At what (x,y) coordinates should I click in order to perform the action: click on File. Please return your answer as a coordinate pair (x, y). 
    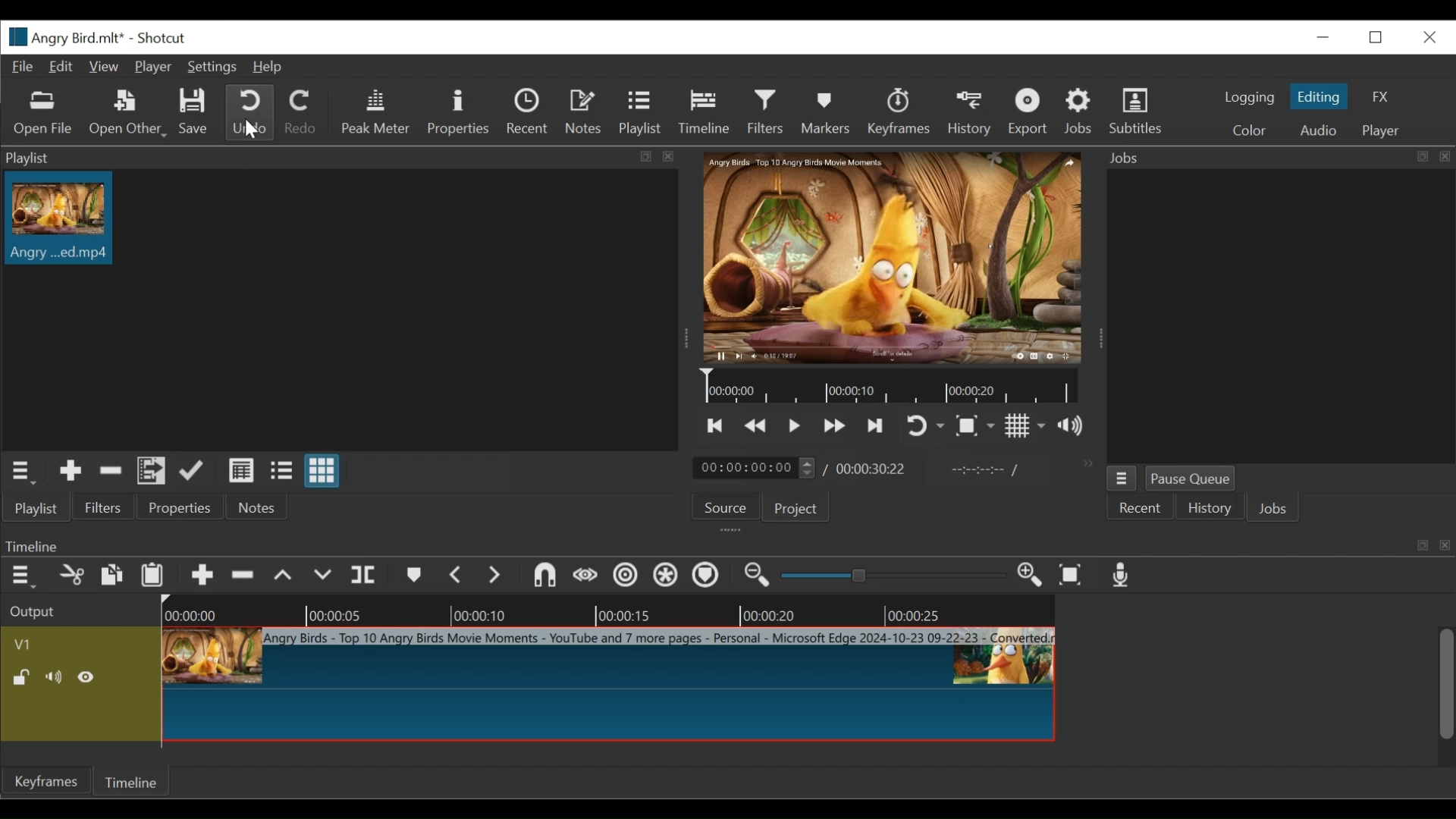
    Looking at the image, I should click on (24, 67).